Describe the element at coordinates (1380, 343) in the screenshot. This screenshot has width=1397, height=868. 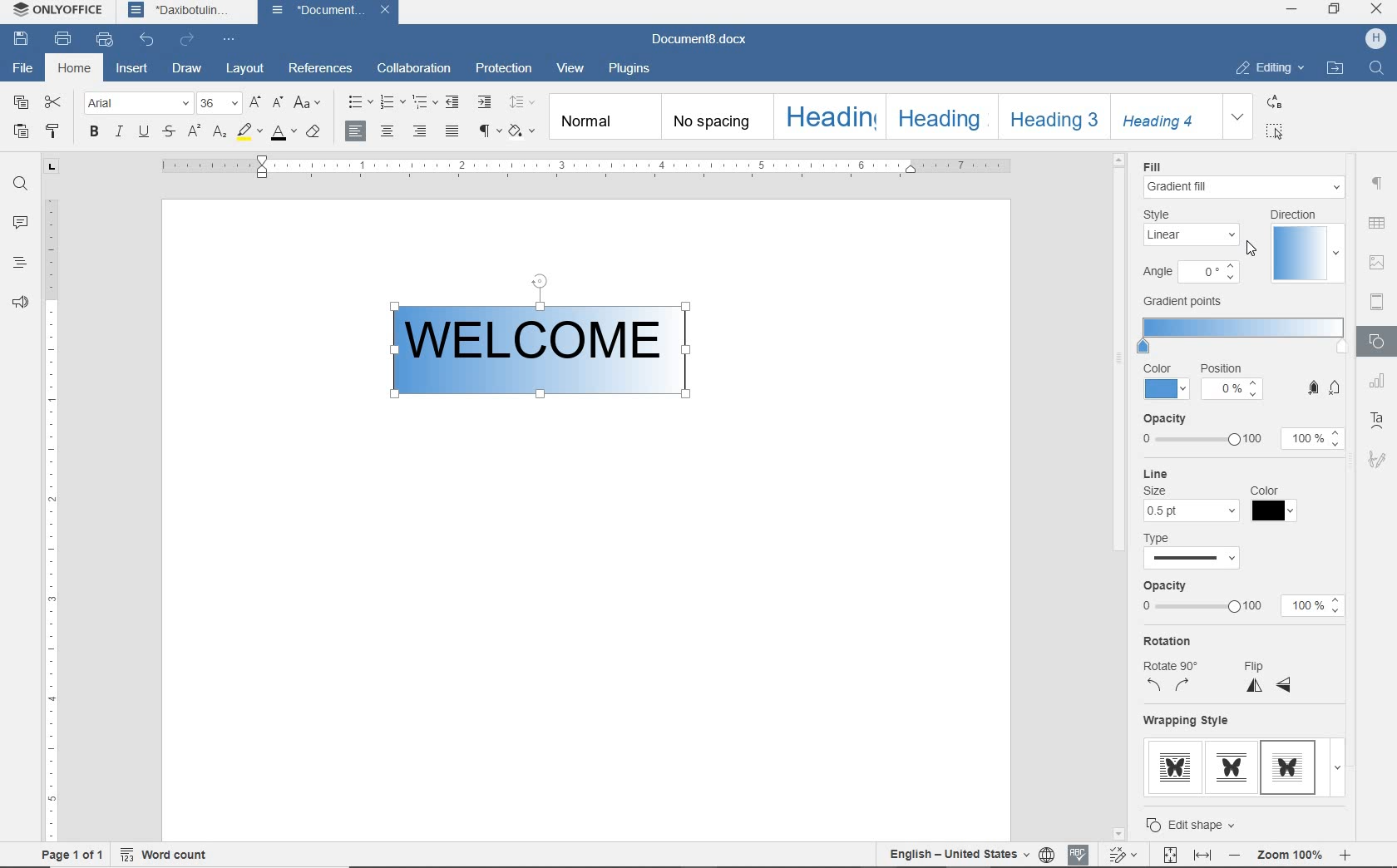
I see `SHAPE` at that location.